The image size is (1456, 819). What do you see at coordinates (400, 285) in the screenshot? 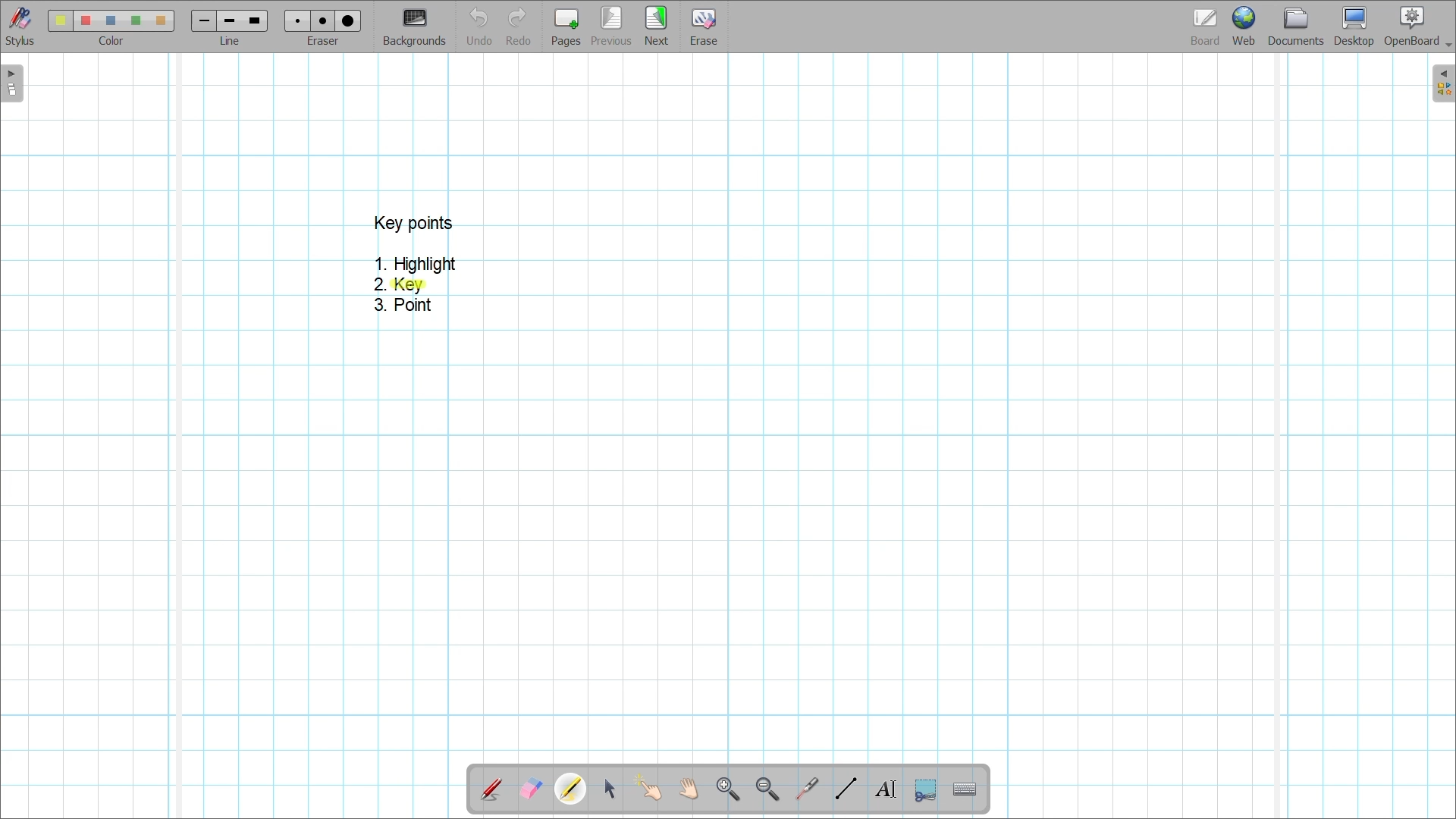
I see `Key point 2 highlighted` at bounding box center [400, 285].